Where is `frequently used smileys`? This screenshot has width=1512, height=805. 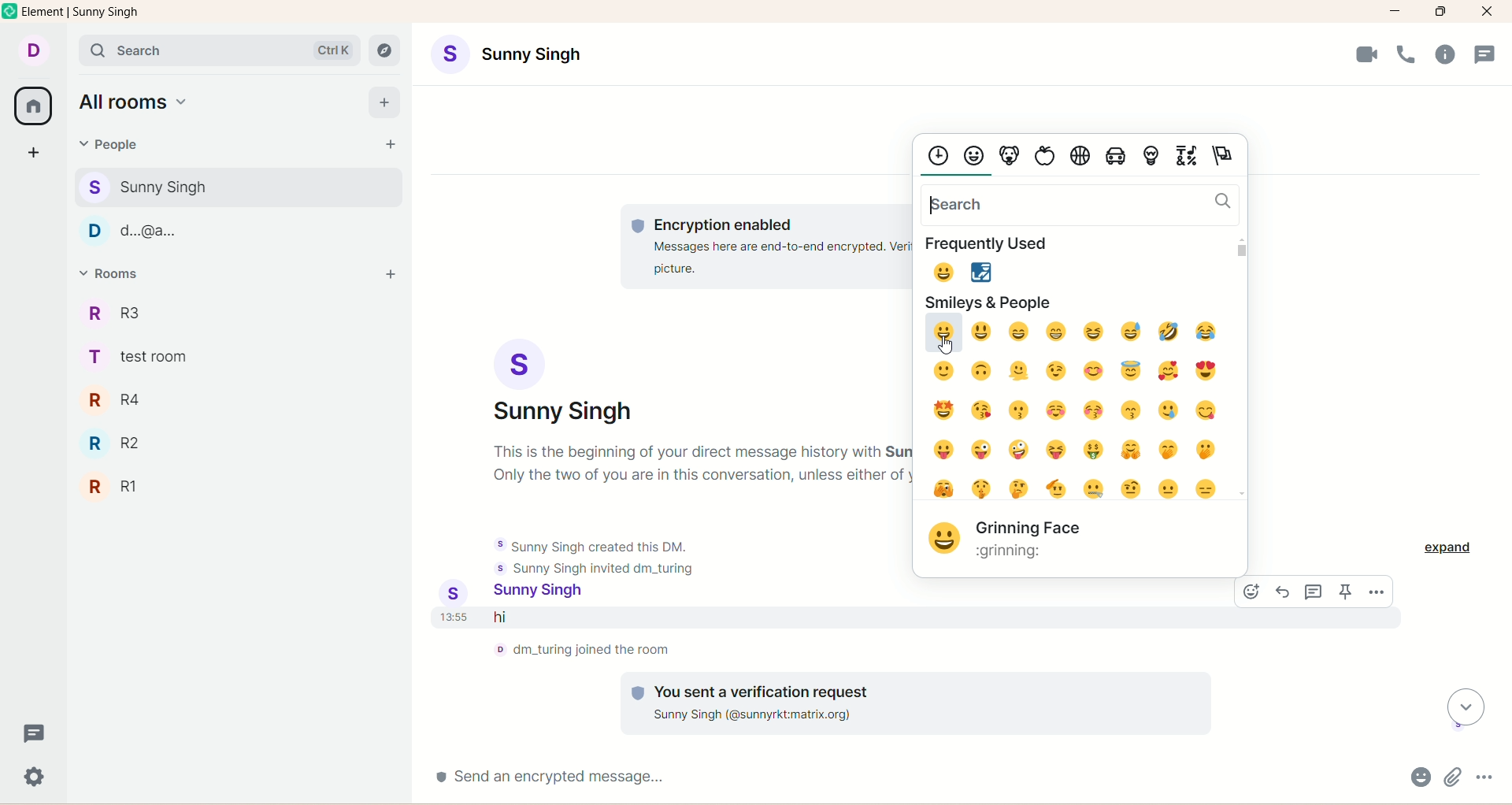
frequently used smileys is located at coordinates (969, 271).